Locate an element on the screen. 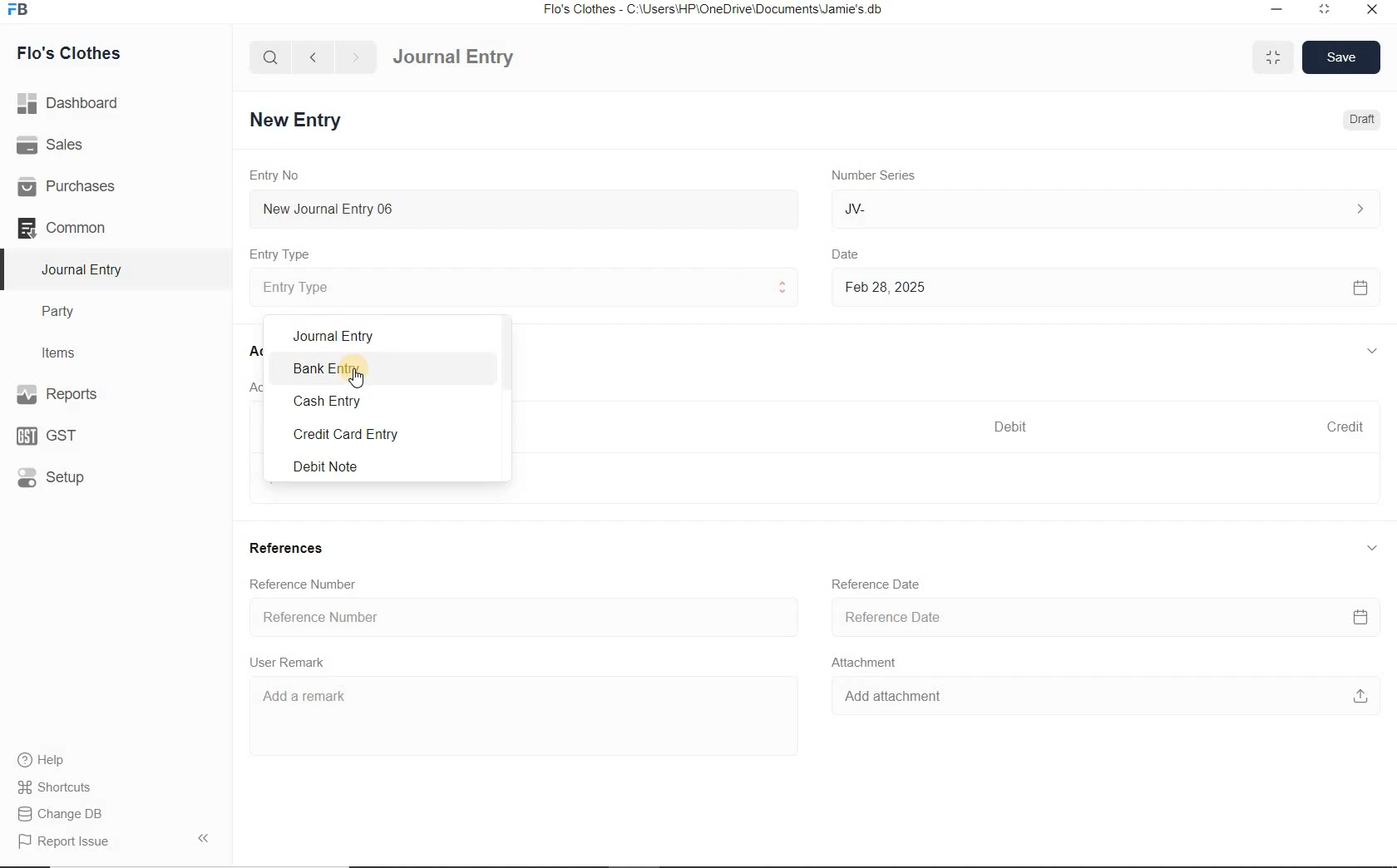  Flo's Clothes - C:\Users\HP\OneDrive\Documents\Jamie's.db is located at coordinates (714, 12).